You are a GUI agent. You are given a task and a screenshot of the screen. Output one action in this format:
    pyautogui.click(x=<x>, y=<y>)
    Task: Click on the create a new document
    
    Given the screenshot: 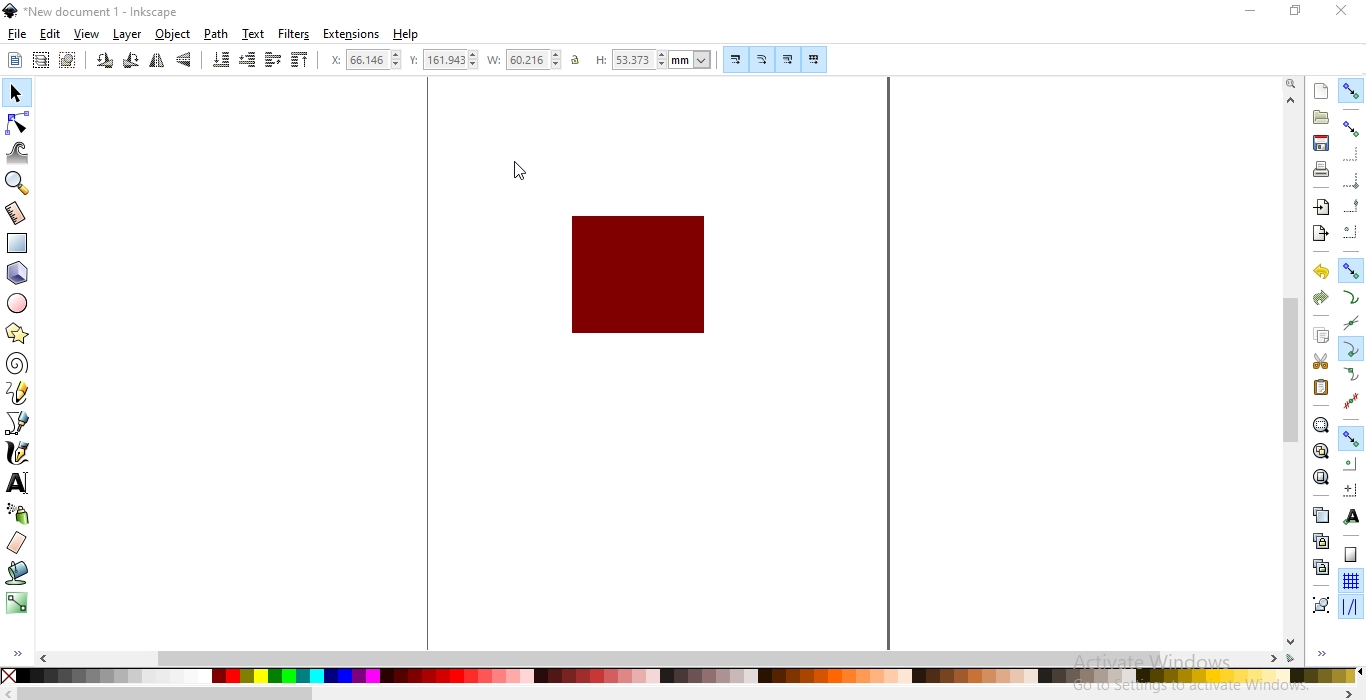 What is the action you would take?
    pyautogui.click(x=1322, y=91)
    